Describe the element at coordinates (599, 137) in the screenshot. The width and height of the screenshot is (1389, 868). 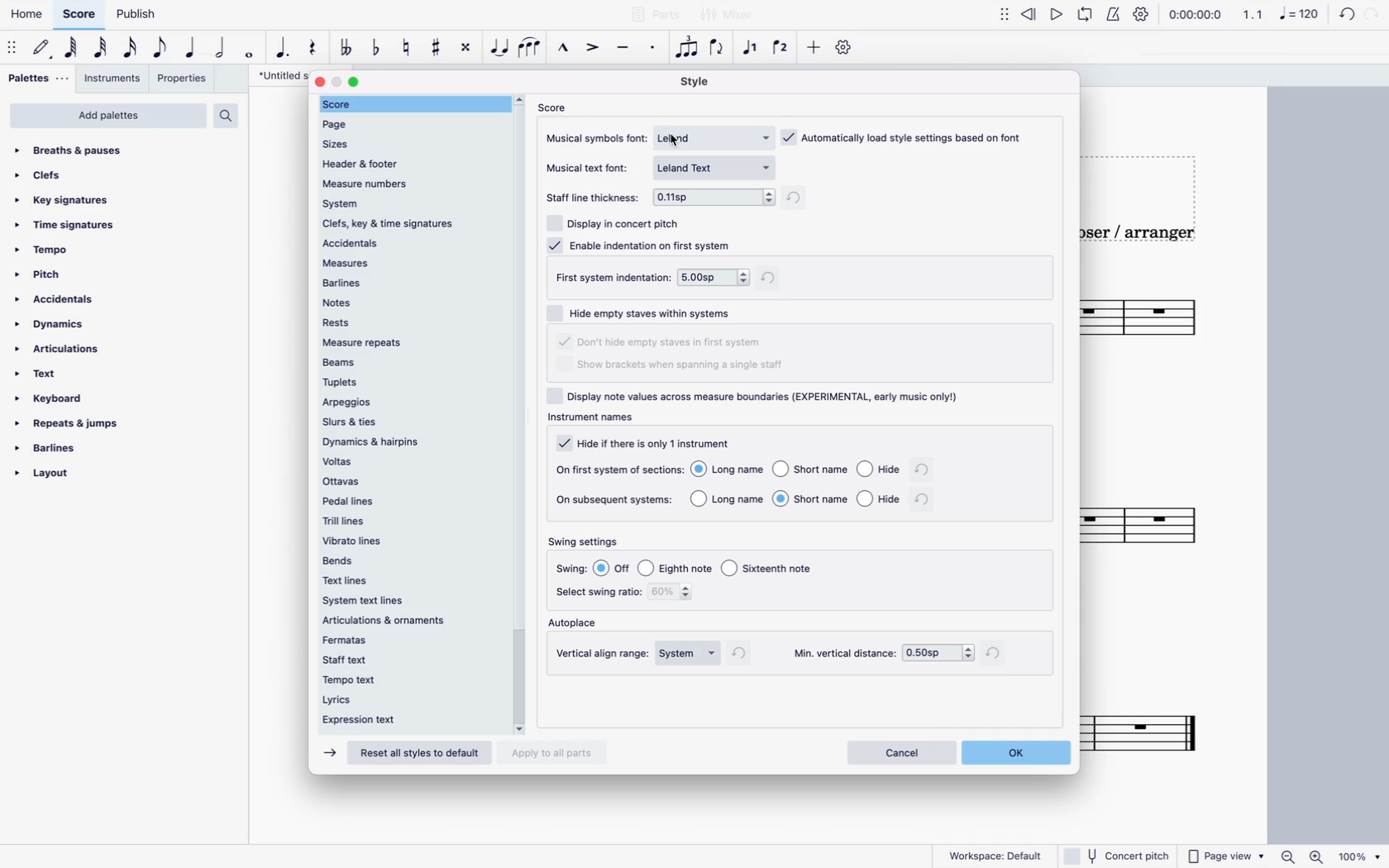
I see `musical symbols font` at that location.